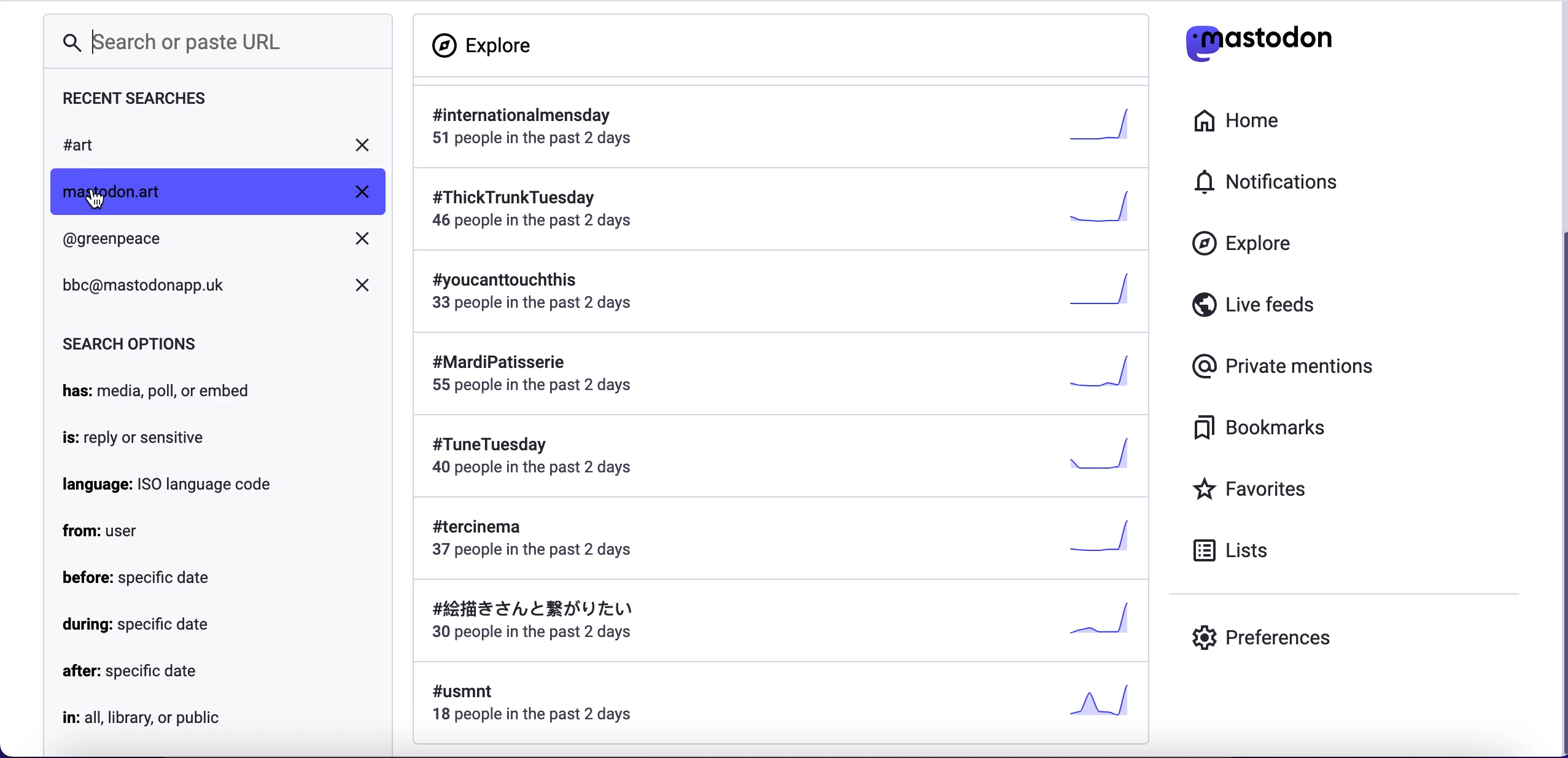 This screenshot has width=1568, height=758. I want to click on recent searches, so click(148, 100).